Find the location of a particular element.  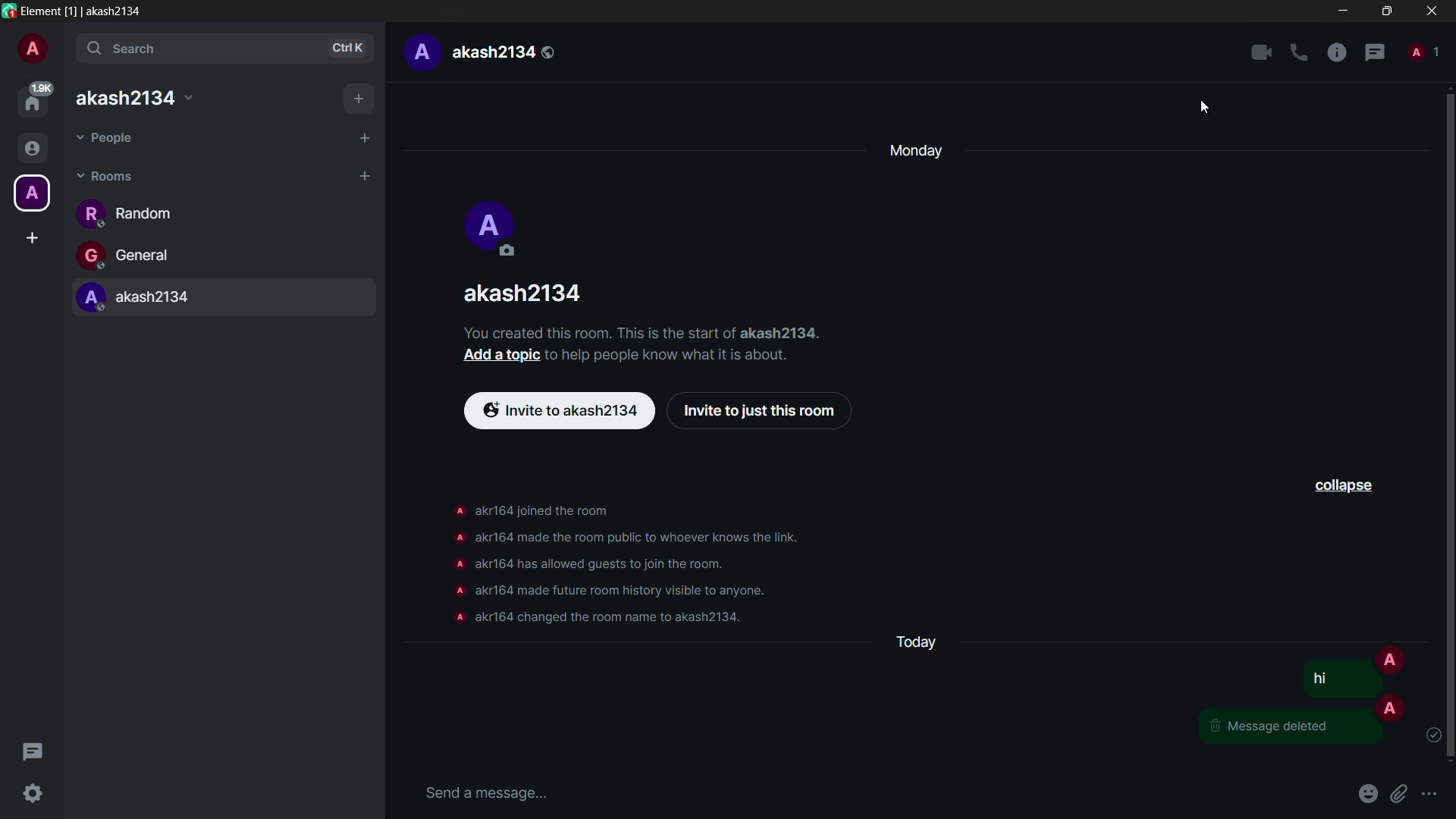

akash2134 is located at coordinates (230, 302).